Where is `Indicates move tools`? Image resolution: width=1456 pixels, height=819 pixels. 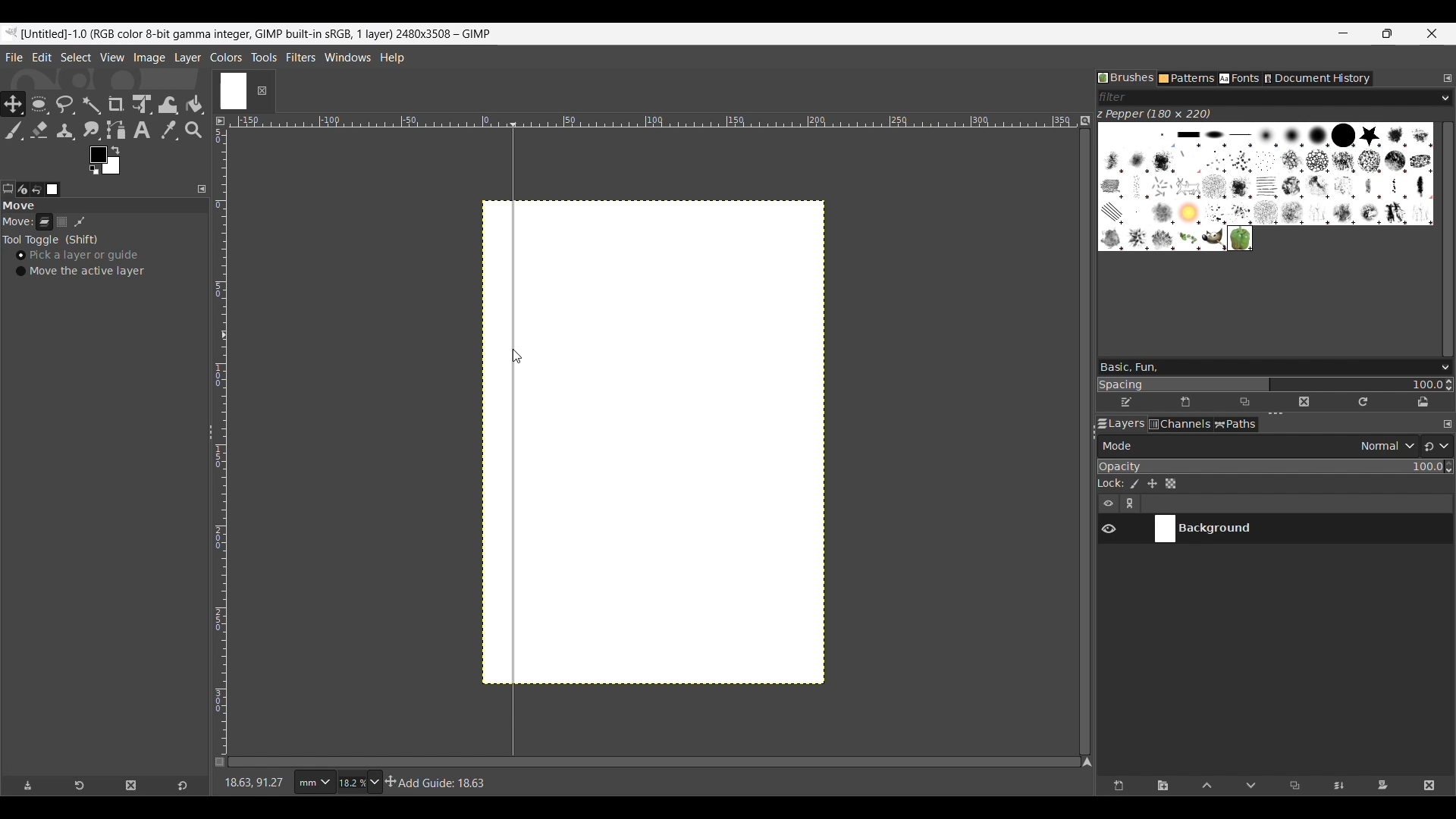 Indicates move tools is located at coordinates (17, 221).